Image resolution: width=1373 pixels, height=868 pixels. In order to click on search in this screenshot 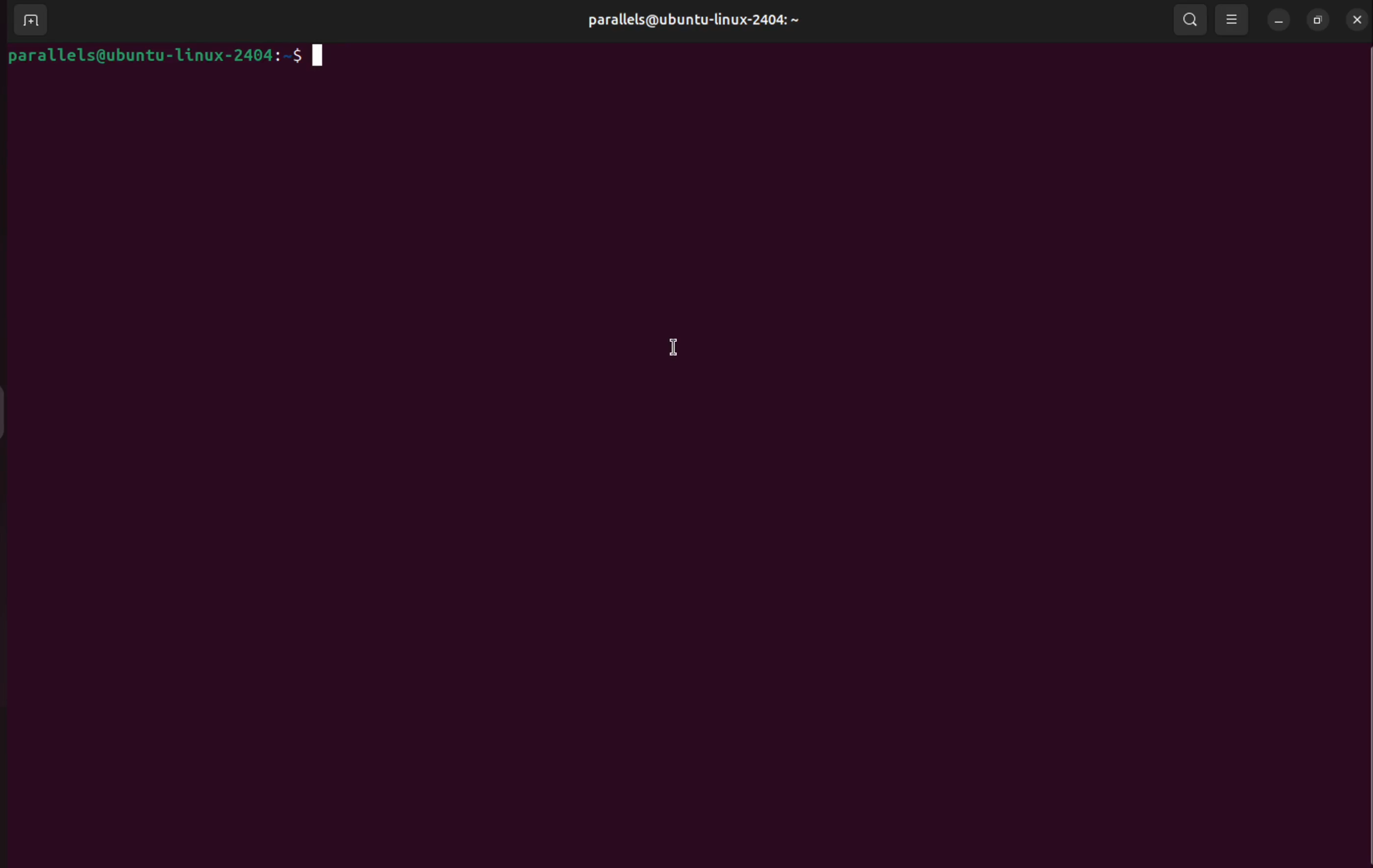, I will do `click(1189, 19)`.